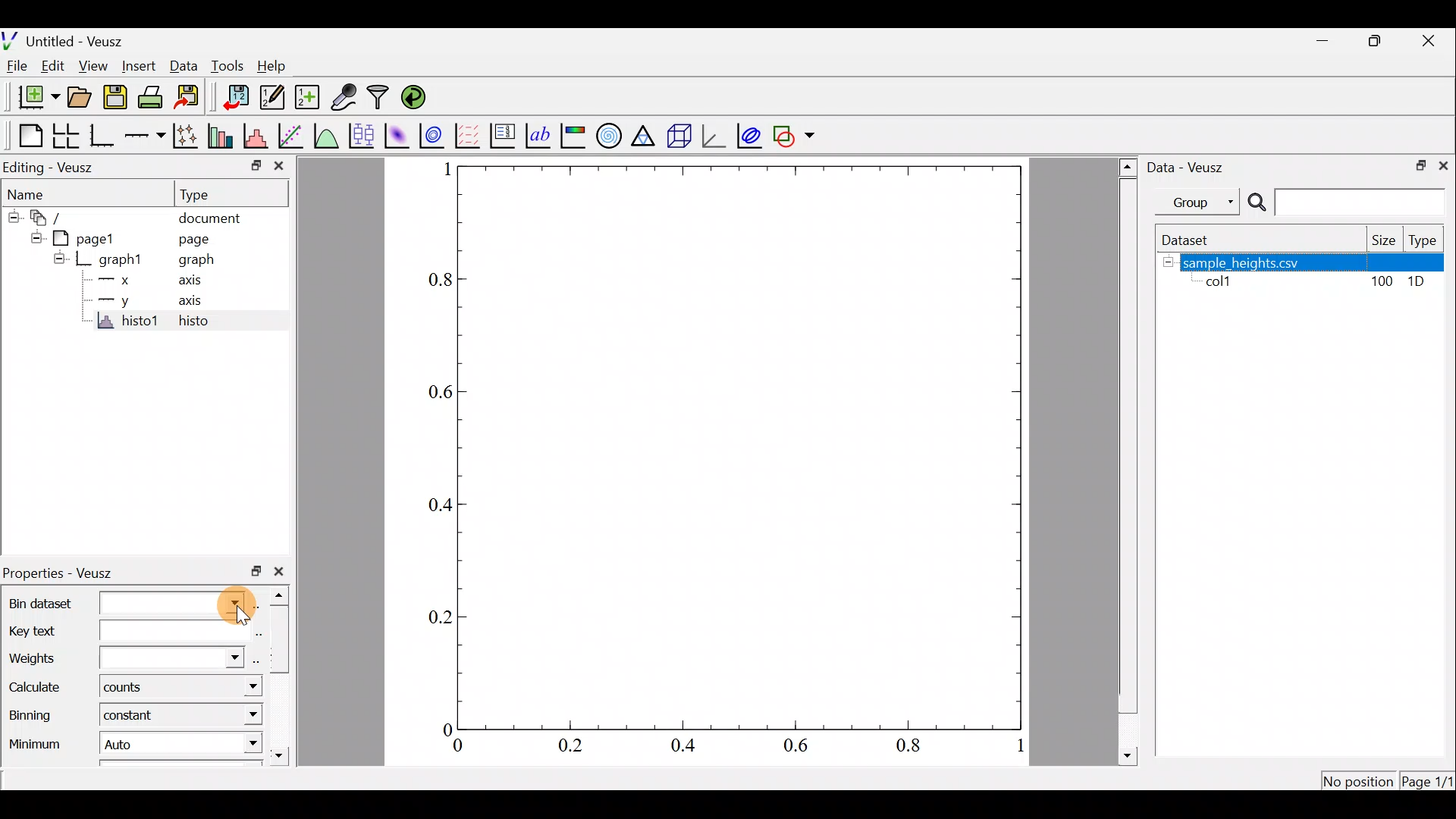 The height and width of the screenshot is (819, 1456). What do you see at coordinates (138, 66) in the screenshot?
I see `Insert` at bounding box center [138, 66].